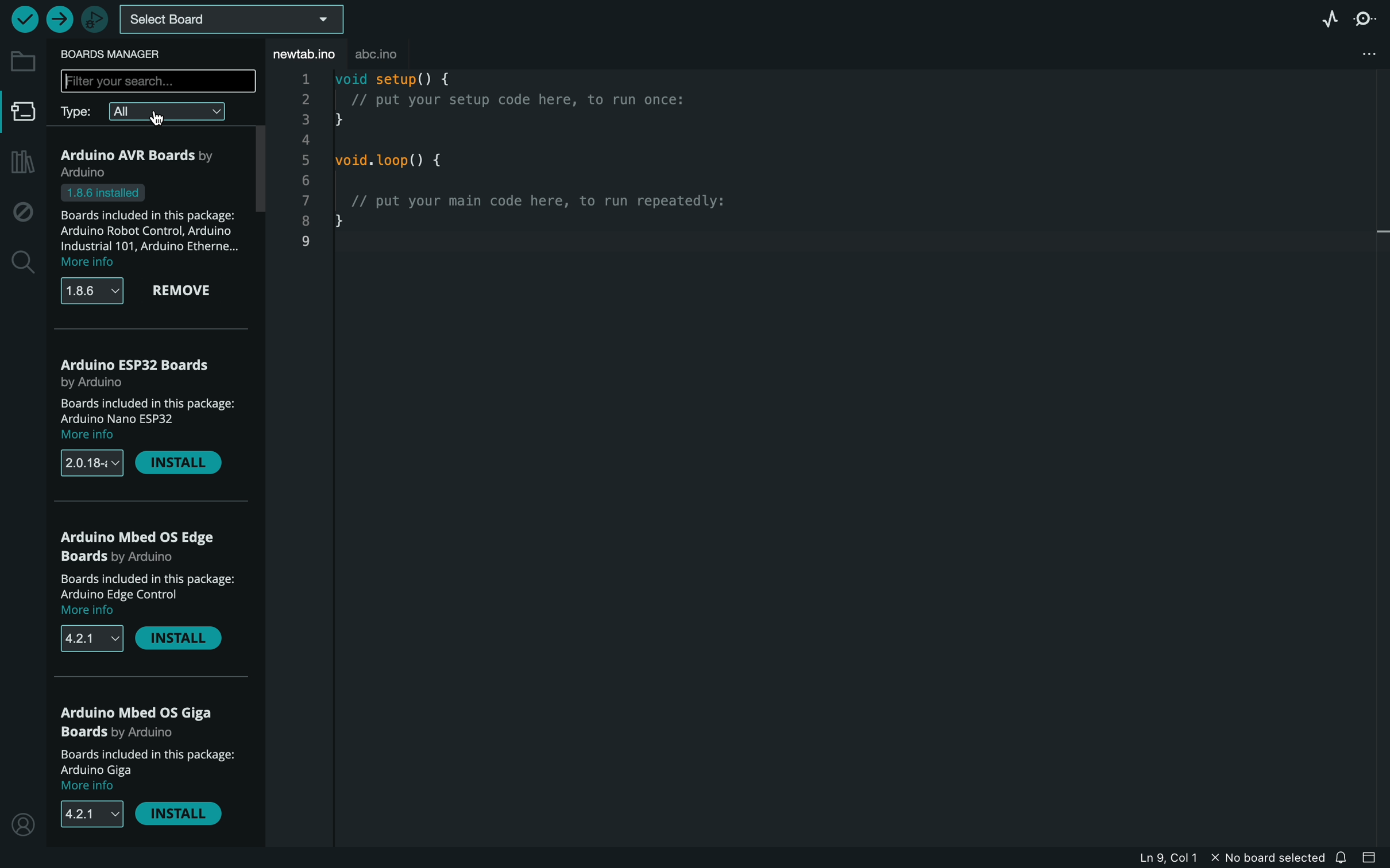  Describe the element at coordinates (1373, 858) in the screenshot. I see `close slide bar` at that location.